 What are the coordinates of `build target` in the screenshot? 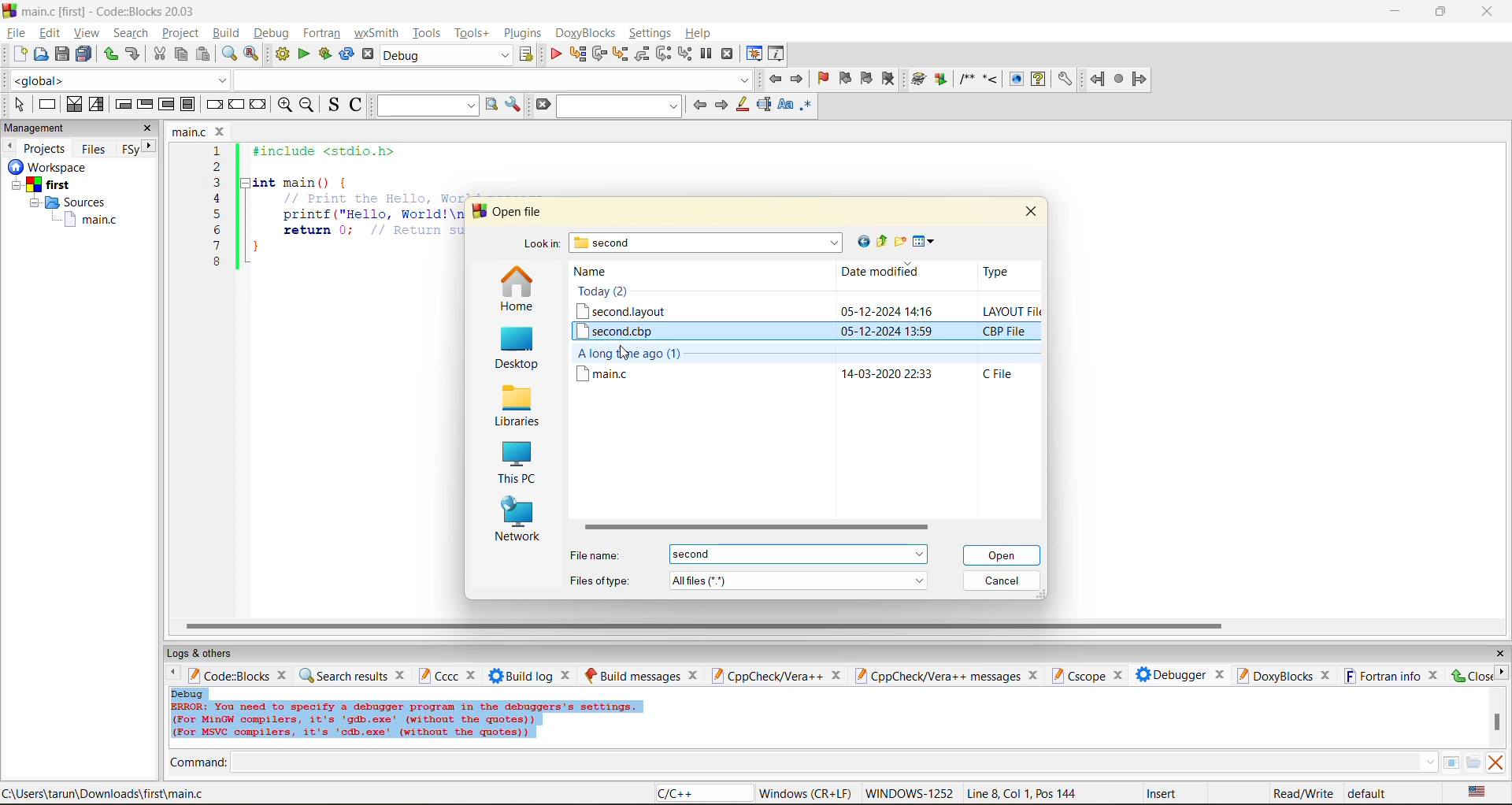 It's located at (447, 54).